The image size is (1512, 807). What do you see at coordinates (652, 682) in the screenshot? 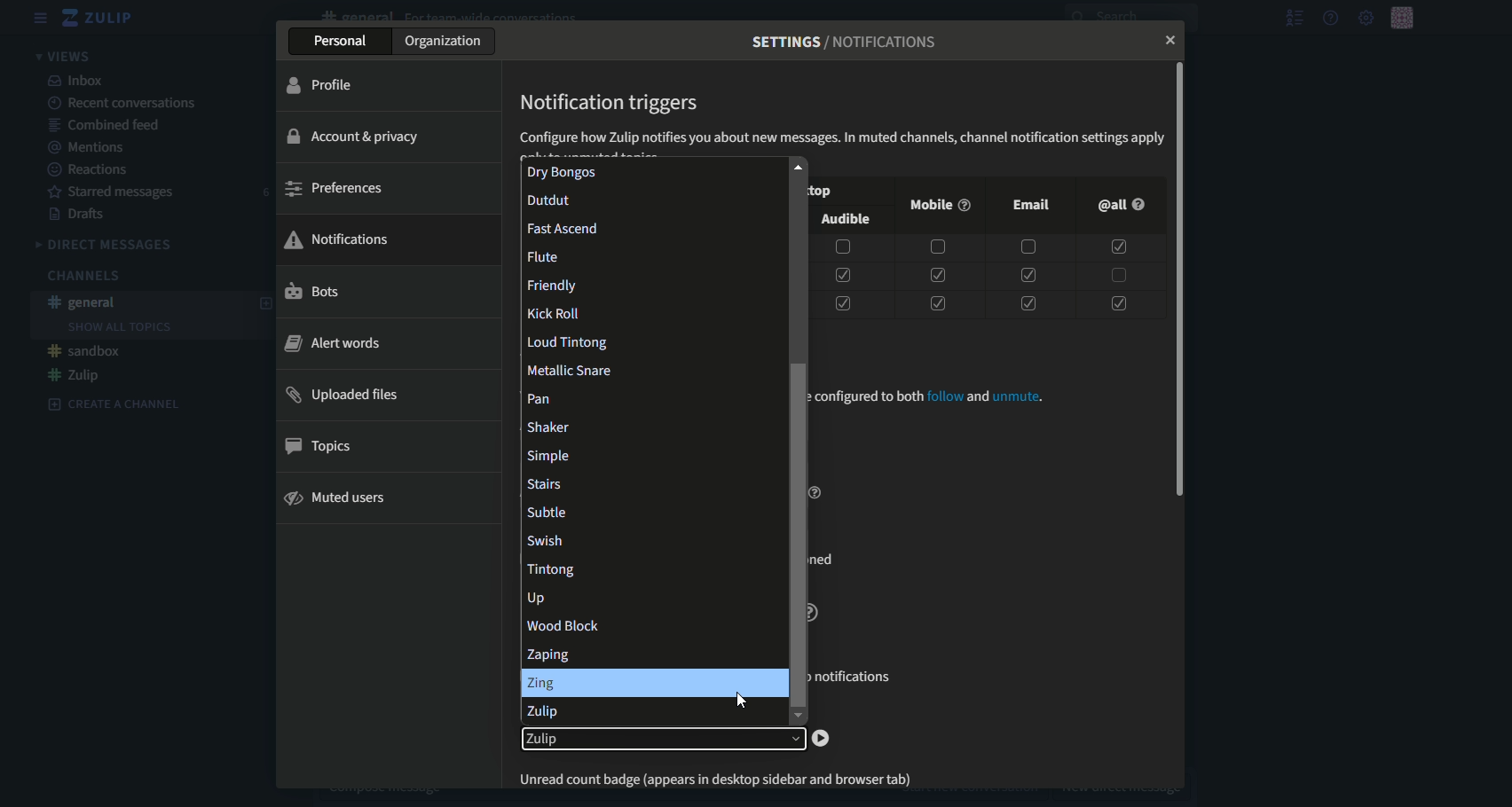
I see `zing` at bounding box center [652, 682].